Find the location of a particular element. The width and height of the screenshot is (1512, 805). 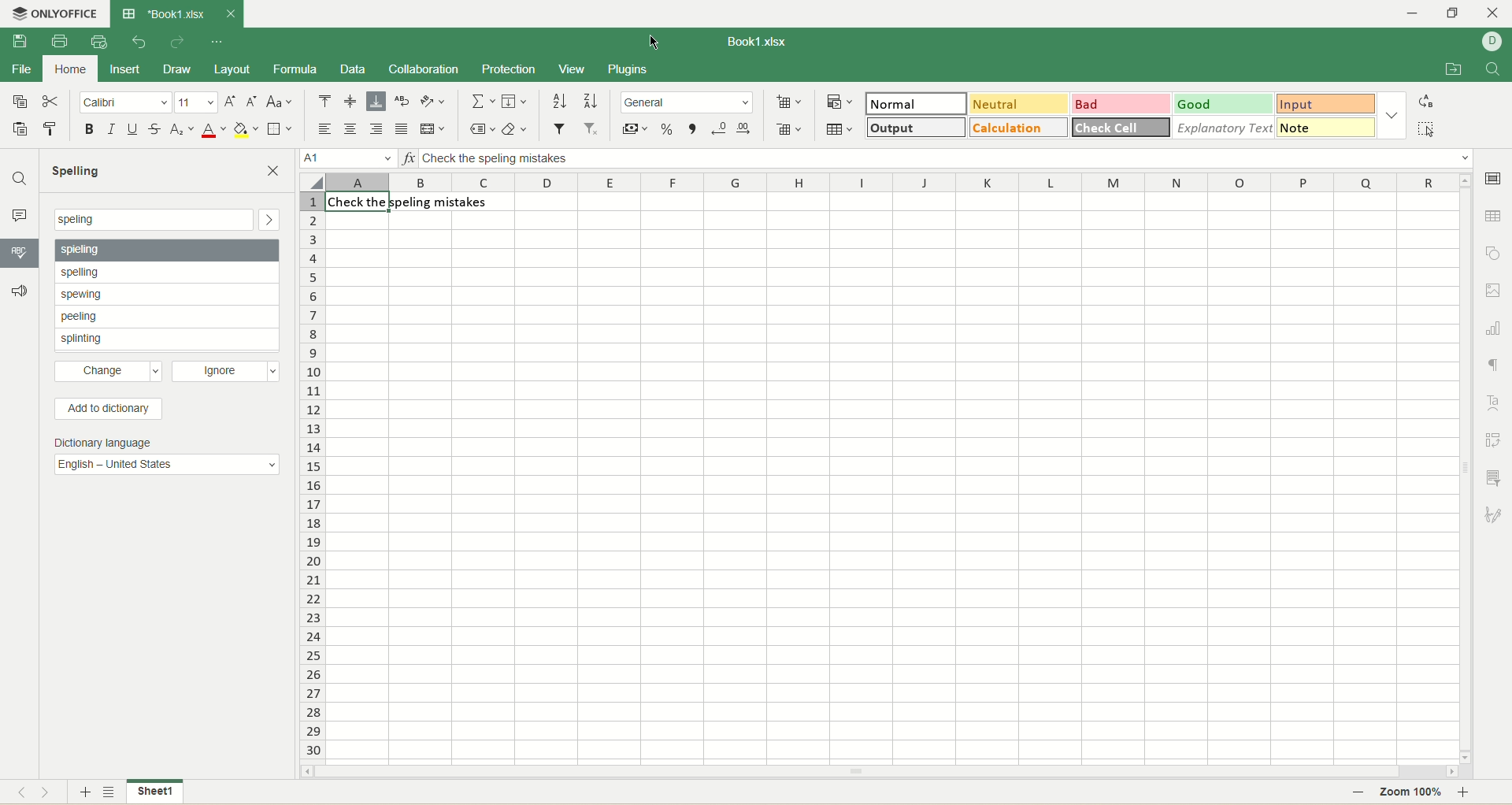

font color is located at coordinates (214, 132).